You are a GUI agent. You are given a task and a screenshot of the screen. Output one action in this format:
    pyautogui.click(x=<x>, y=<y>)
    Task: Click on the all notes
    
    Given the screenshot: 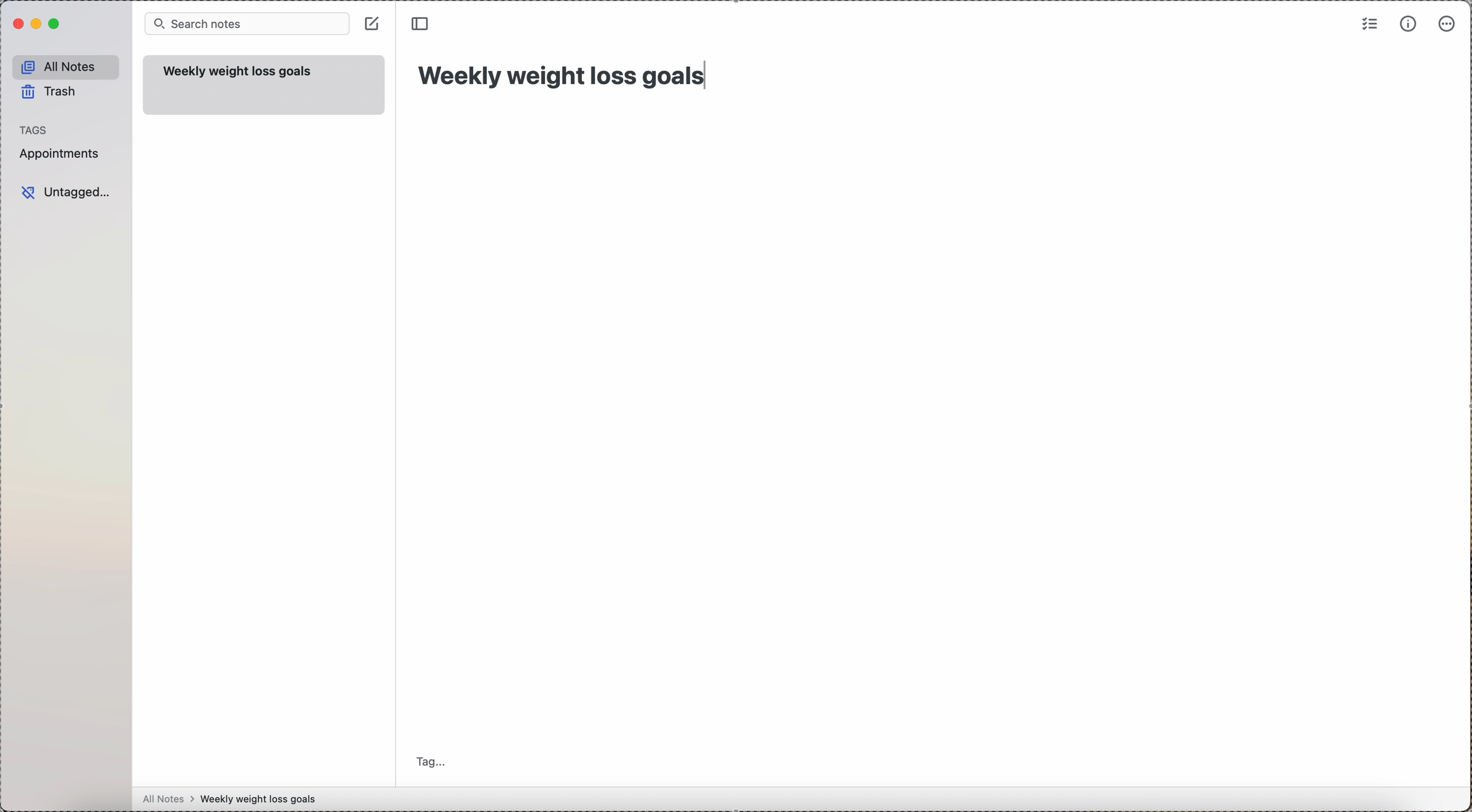 What is the action you would take?
    pyautogui.click(x=66, y=66)
    